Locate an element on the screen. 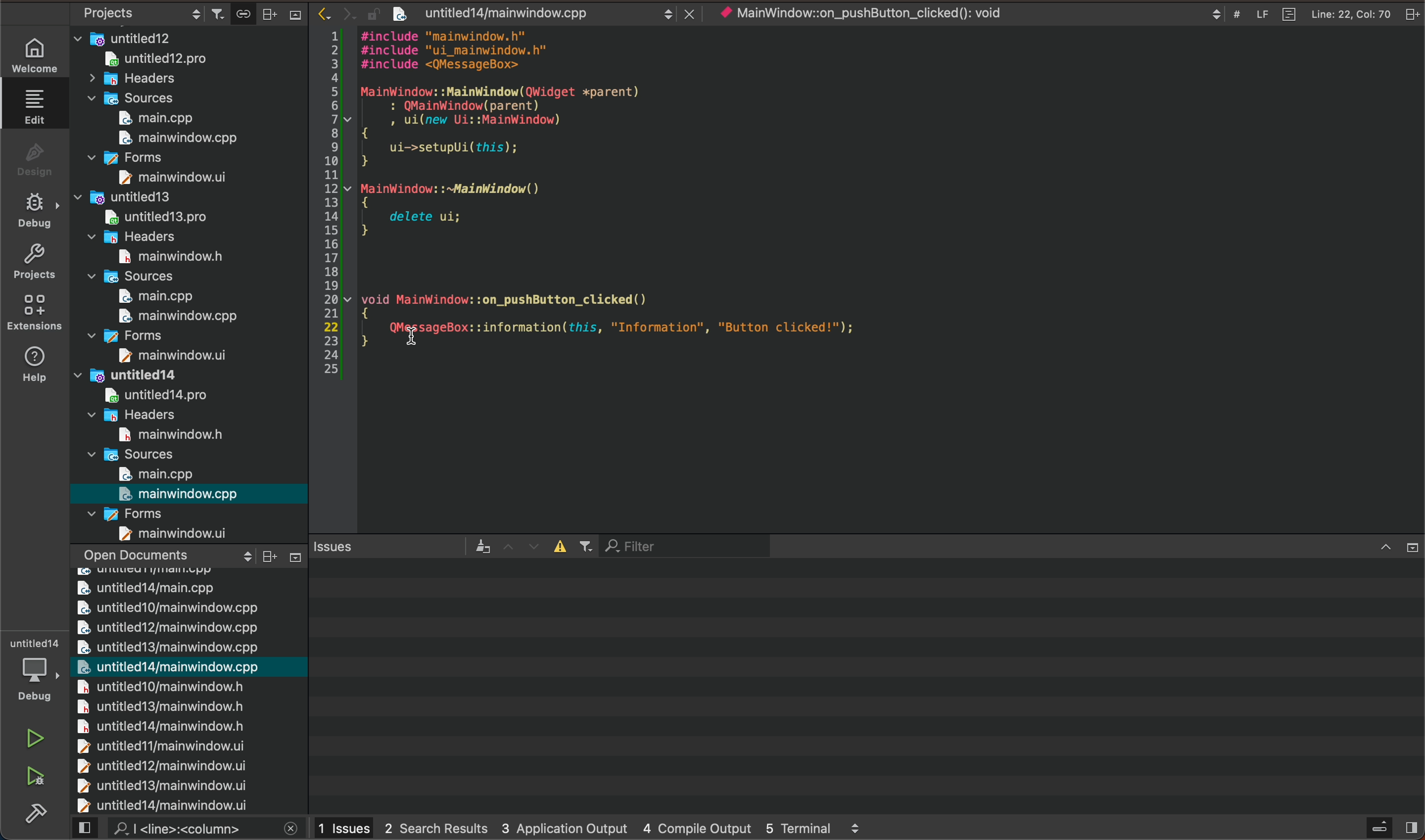  main windowh is located at coordinates (161, 433).